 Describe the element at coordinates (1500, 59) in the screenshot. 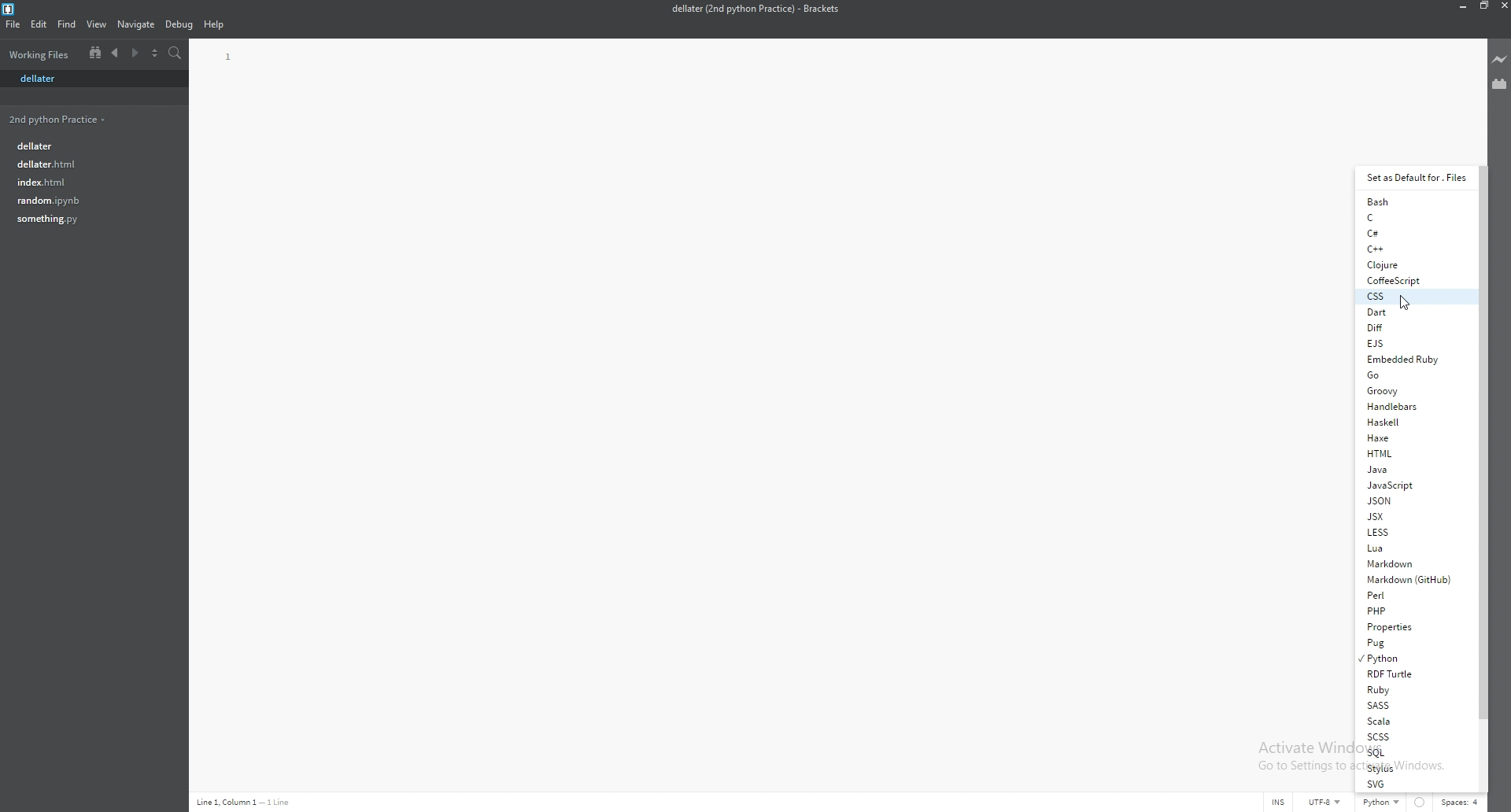

I see `live preview` at that location.